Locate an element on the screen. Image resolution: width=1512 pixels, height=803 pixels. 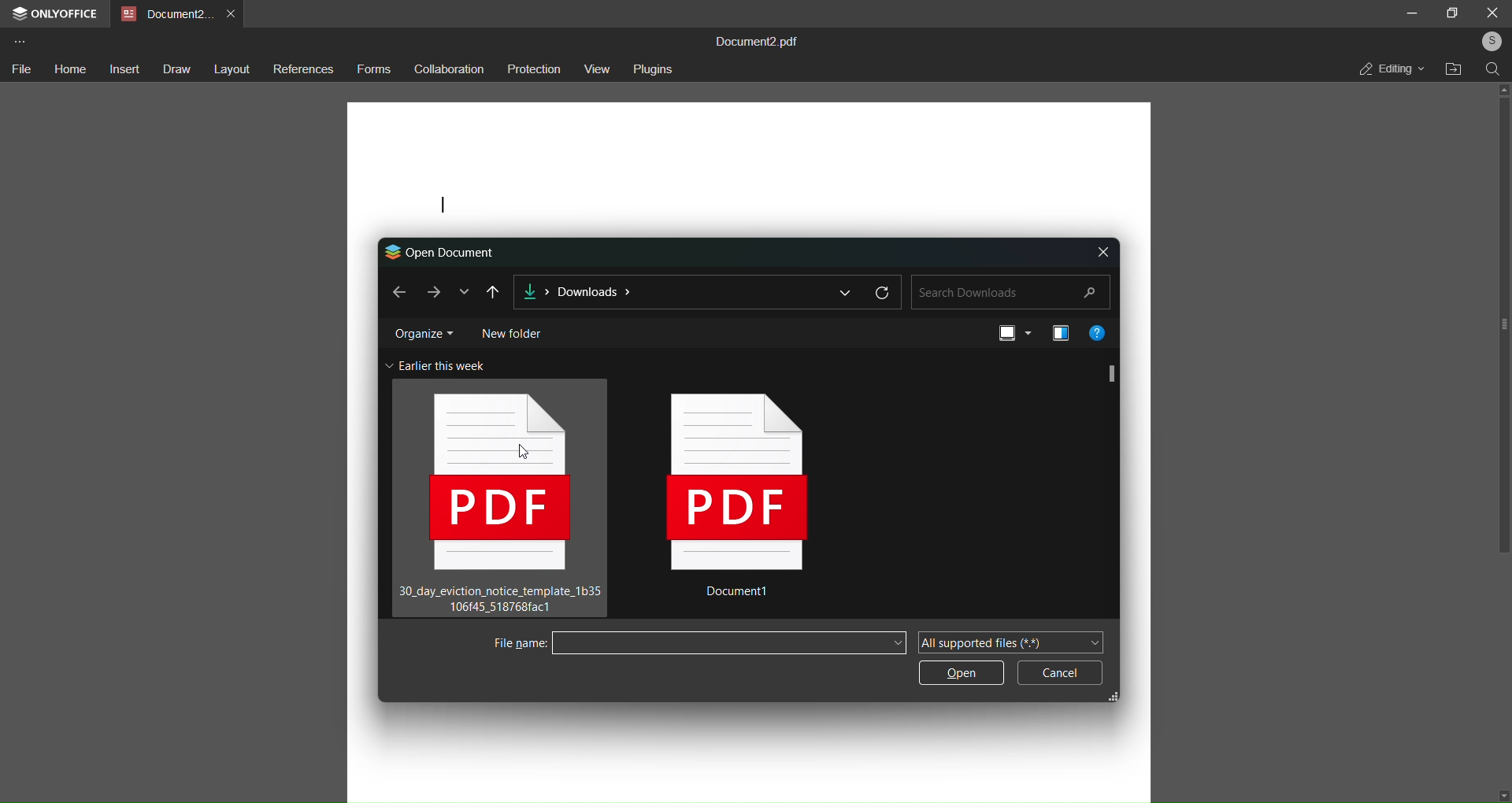
open is located at coordinates (958, 675).